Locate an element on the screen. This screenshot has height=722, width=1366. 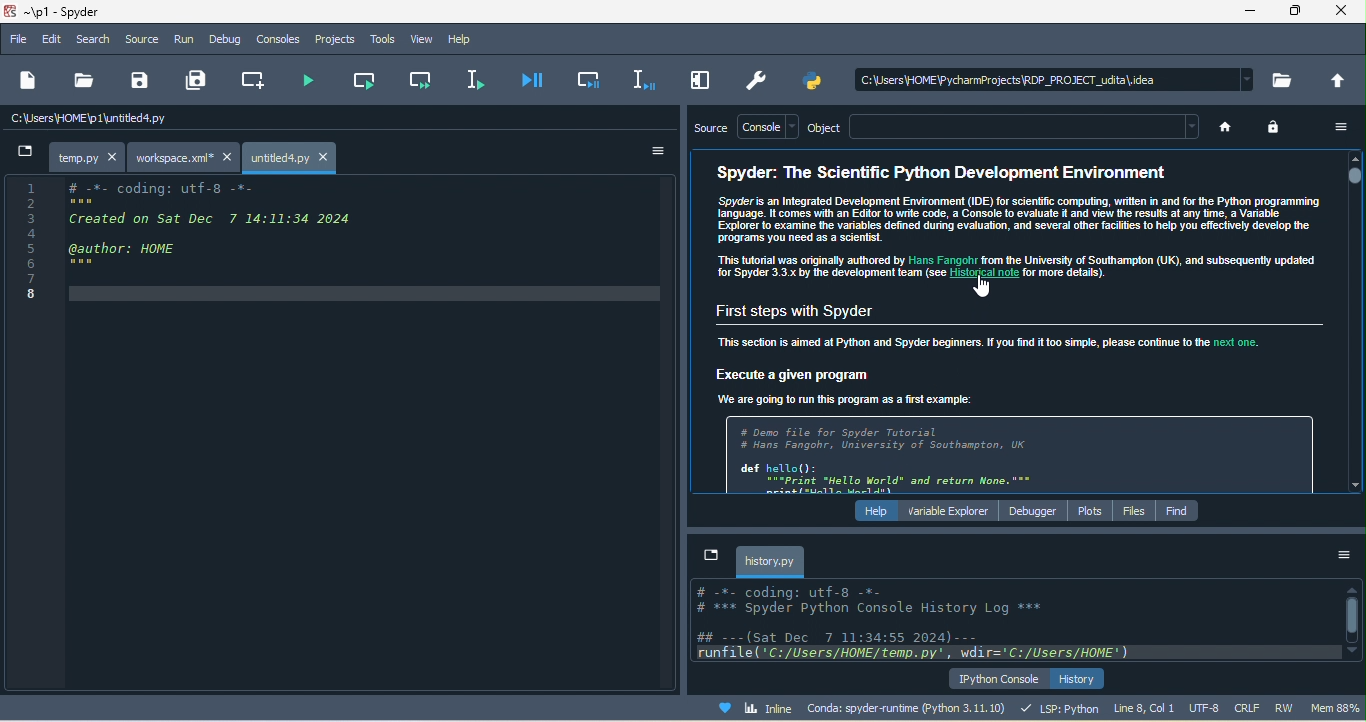
save is located at coordinates (142, 80).